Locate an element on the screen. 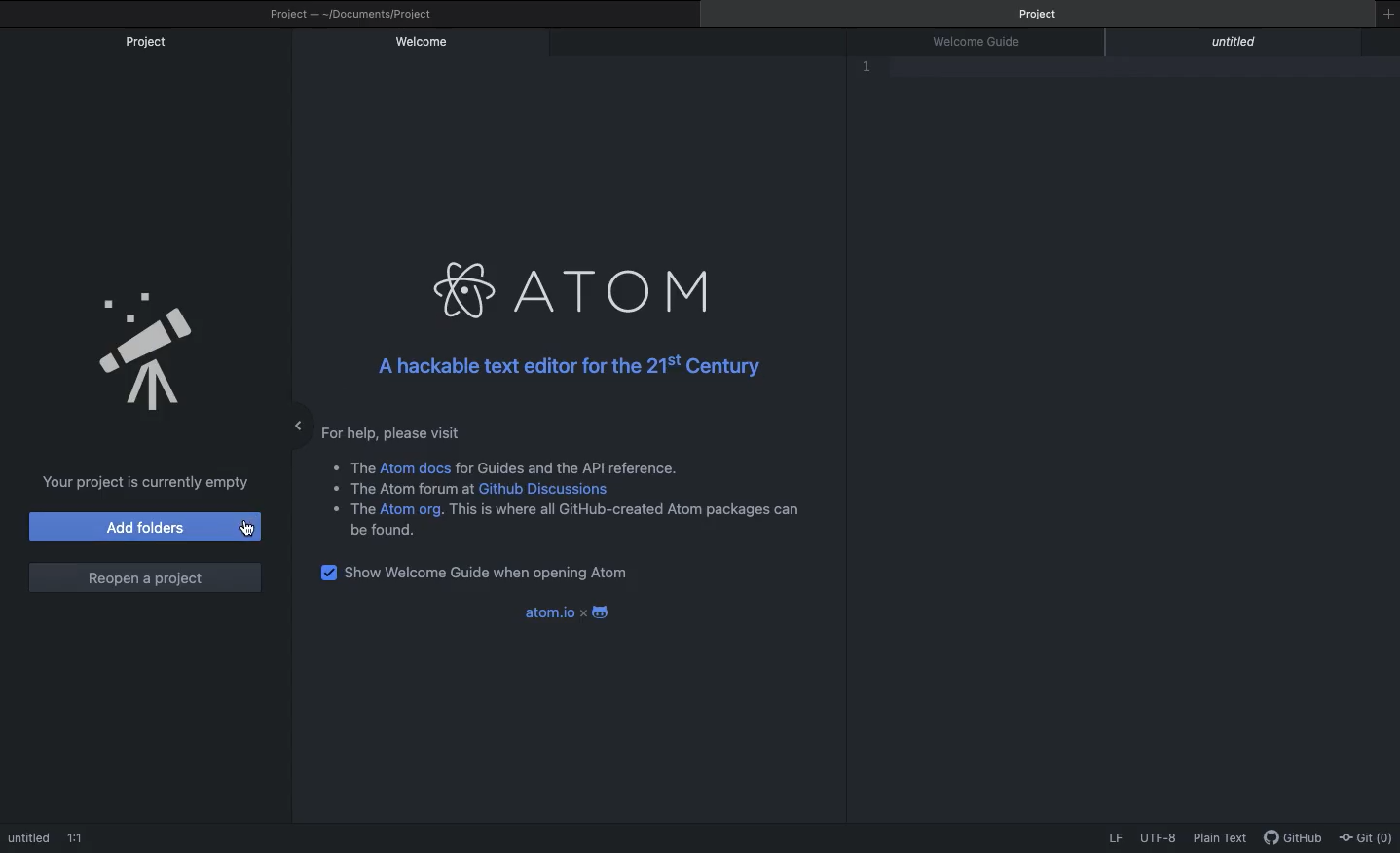 This screenshot has height=853, width=1400. Project is located at coordinates (150, 43).